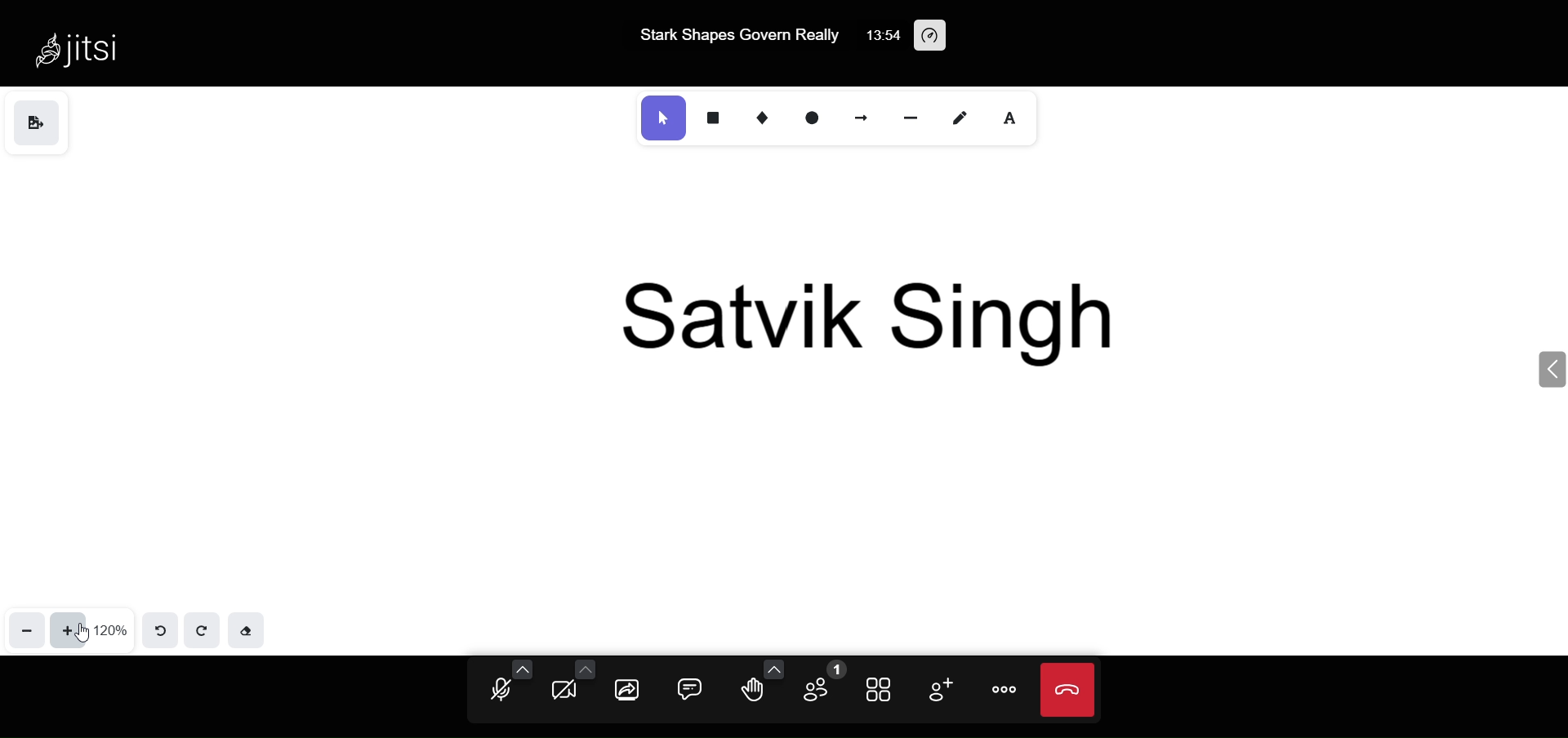 The height and width of the screenshot is (738, 1568). What do you see at coordinates (564, 690) in the screenshot?
I see `camera` at bounding box center [564, 690].